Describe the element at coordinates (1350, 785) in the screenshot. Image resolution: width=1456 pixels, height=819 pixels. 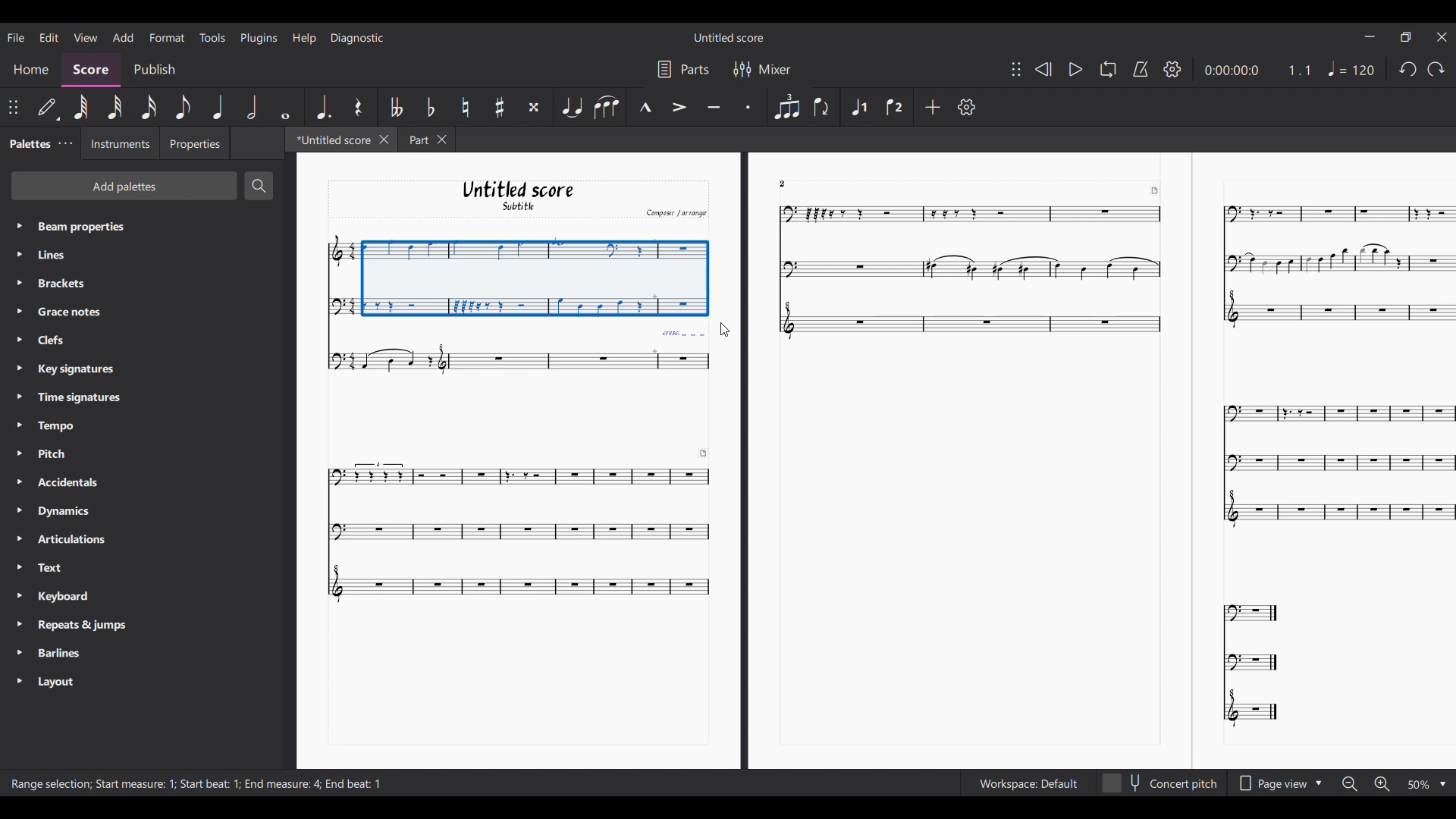
I see `Zoom out` at that location.